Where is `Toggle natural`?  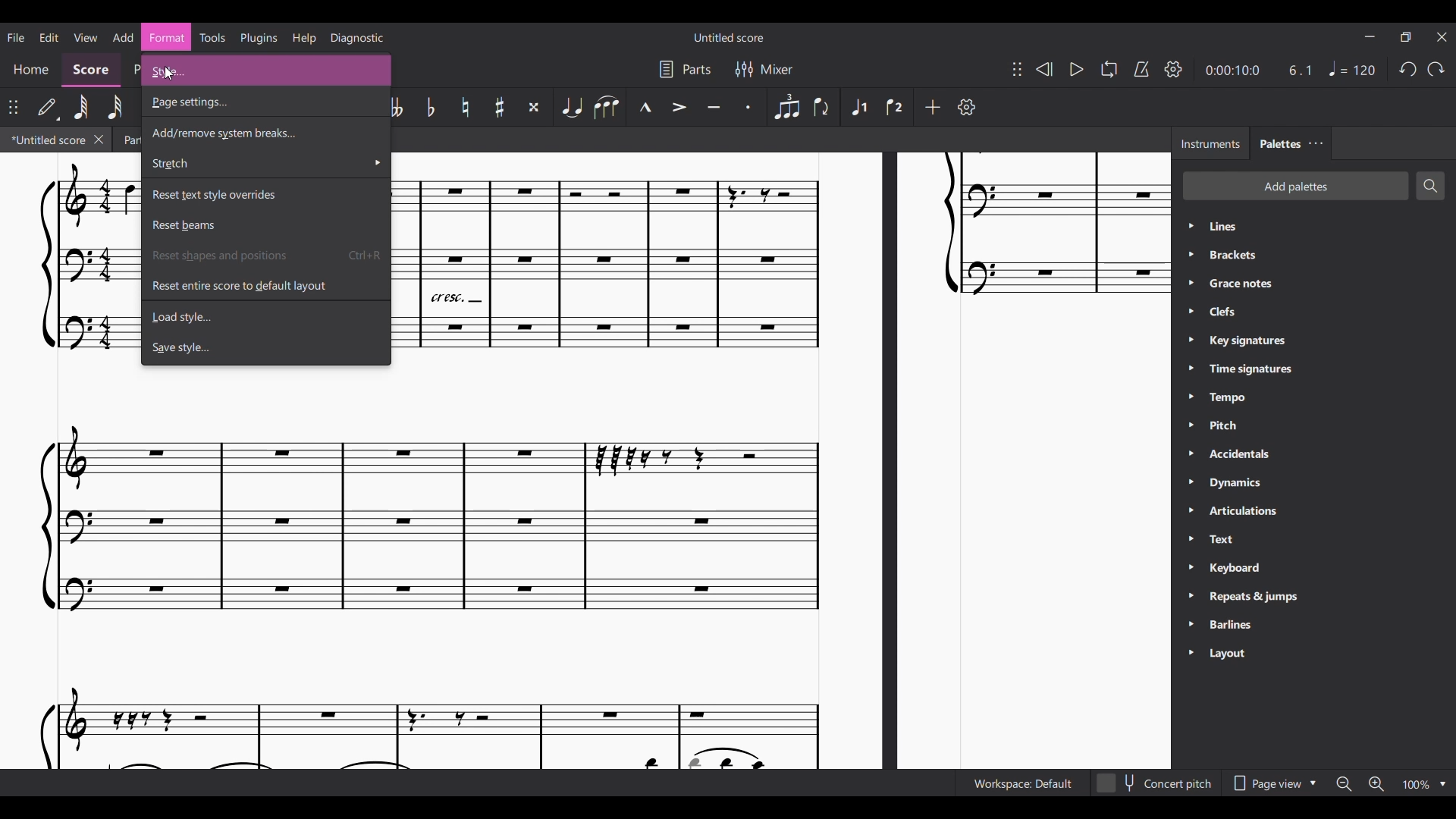
Toggle natural is located at coordinates (466, 107).